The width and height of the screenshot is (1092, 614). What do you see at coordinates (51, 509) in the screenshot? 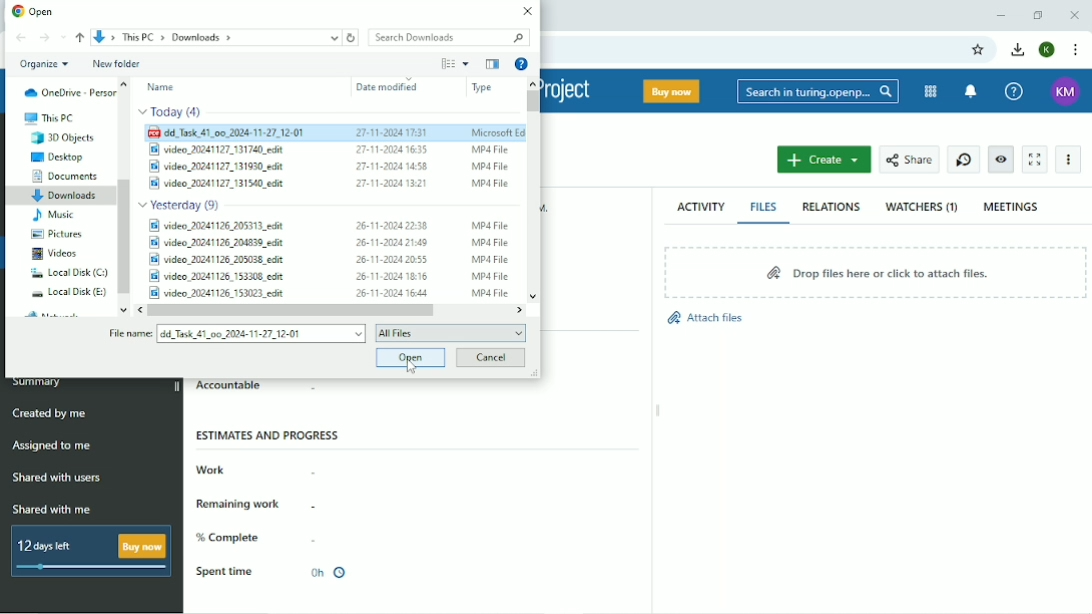
I see `Shared with me` at bounding box center [51, 509].